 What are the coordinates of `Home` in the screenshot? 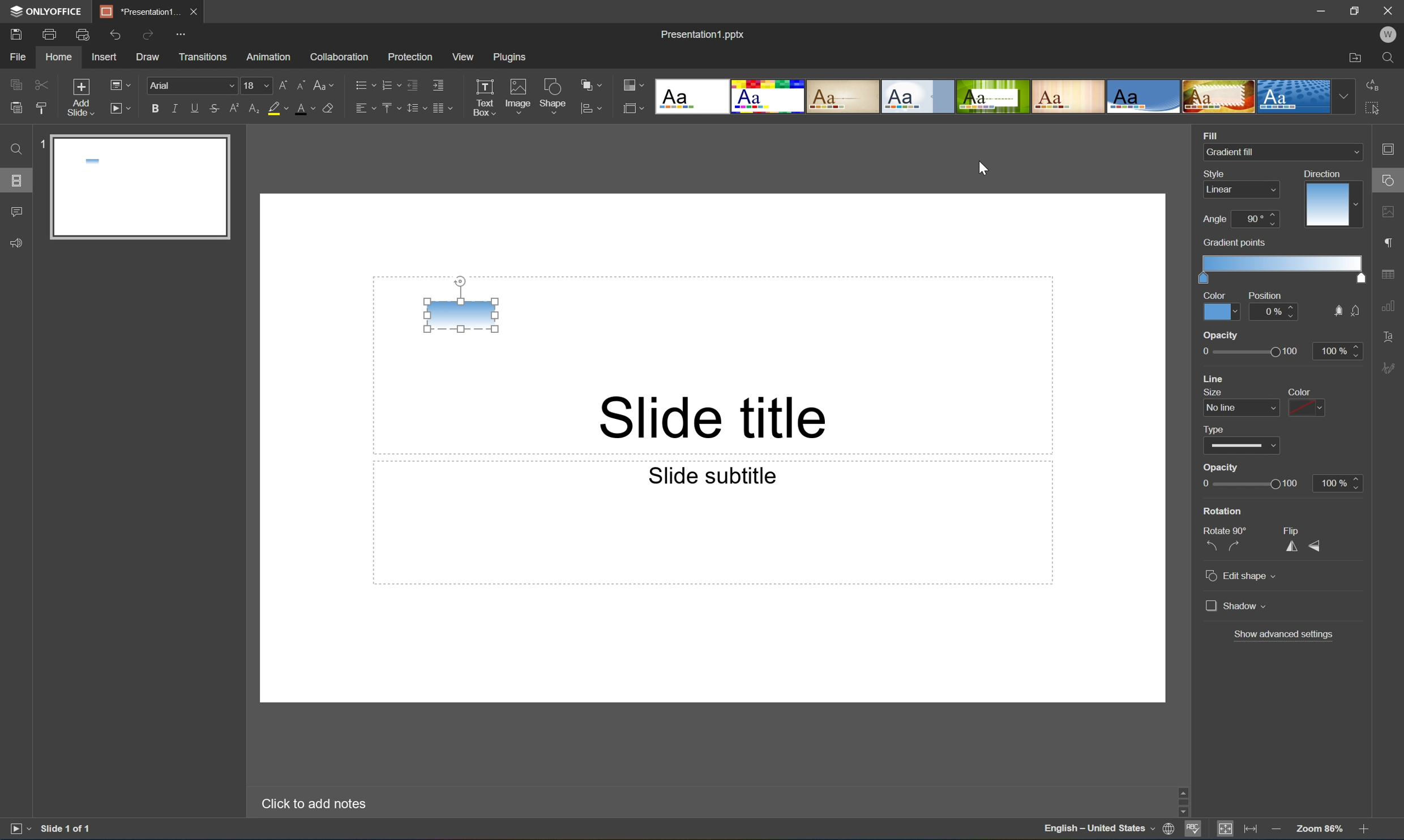 It's located at (58, 58).